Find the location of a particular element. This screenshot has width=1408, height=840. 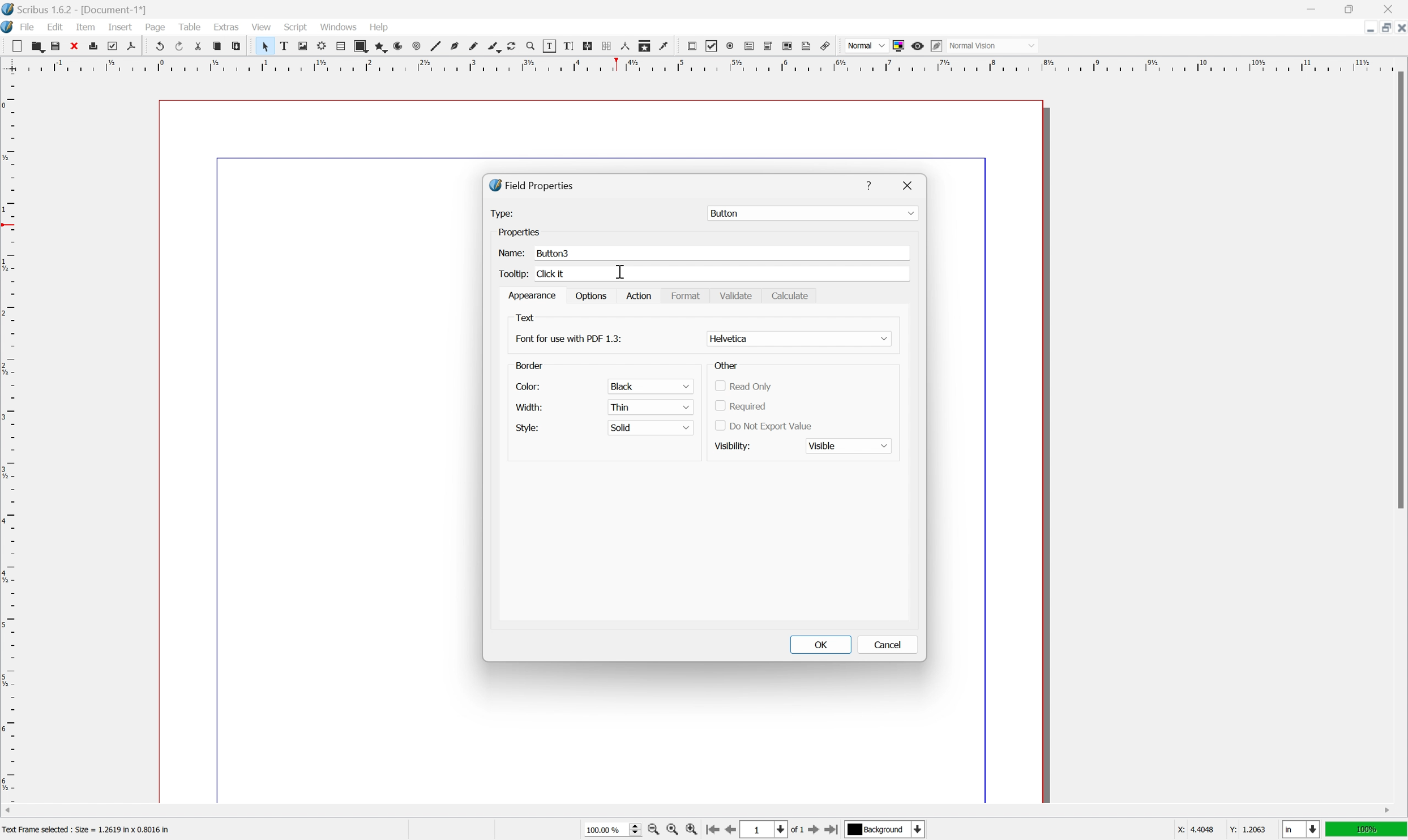

insert is located at coordinates (122, 28).